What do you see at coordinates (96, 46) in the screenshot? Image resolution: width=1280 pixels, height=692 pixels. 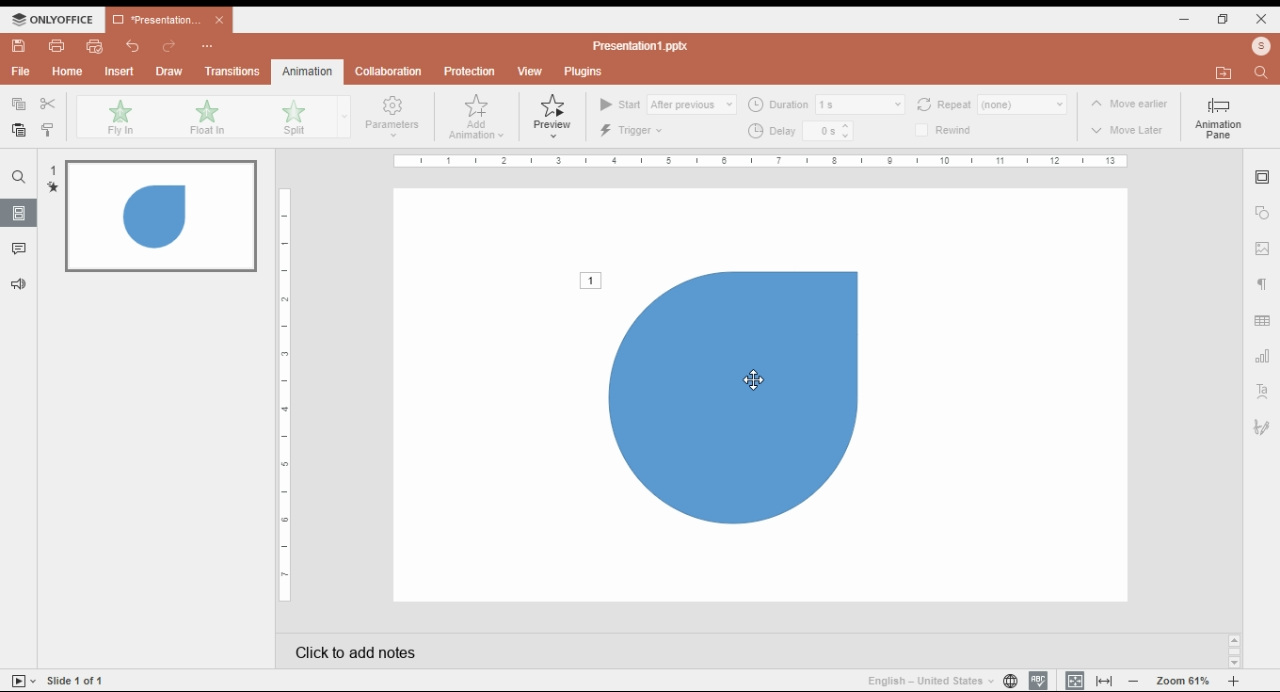 I see `quick print` at bounding box center [96, 46].